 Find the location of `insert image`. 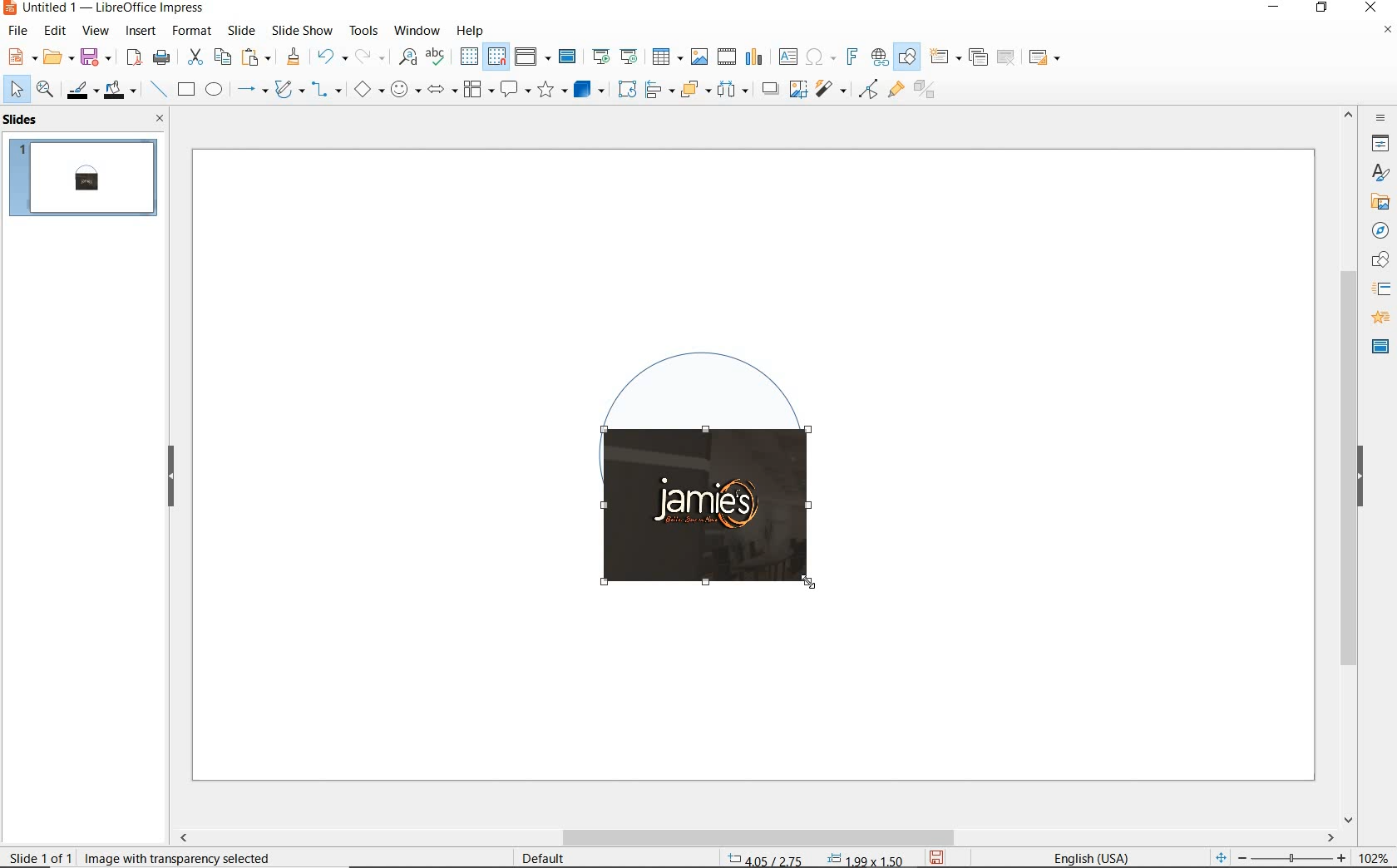

insert image is located at coordinates (698, 57).